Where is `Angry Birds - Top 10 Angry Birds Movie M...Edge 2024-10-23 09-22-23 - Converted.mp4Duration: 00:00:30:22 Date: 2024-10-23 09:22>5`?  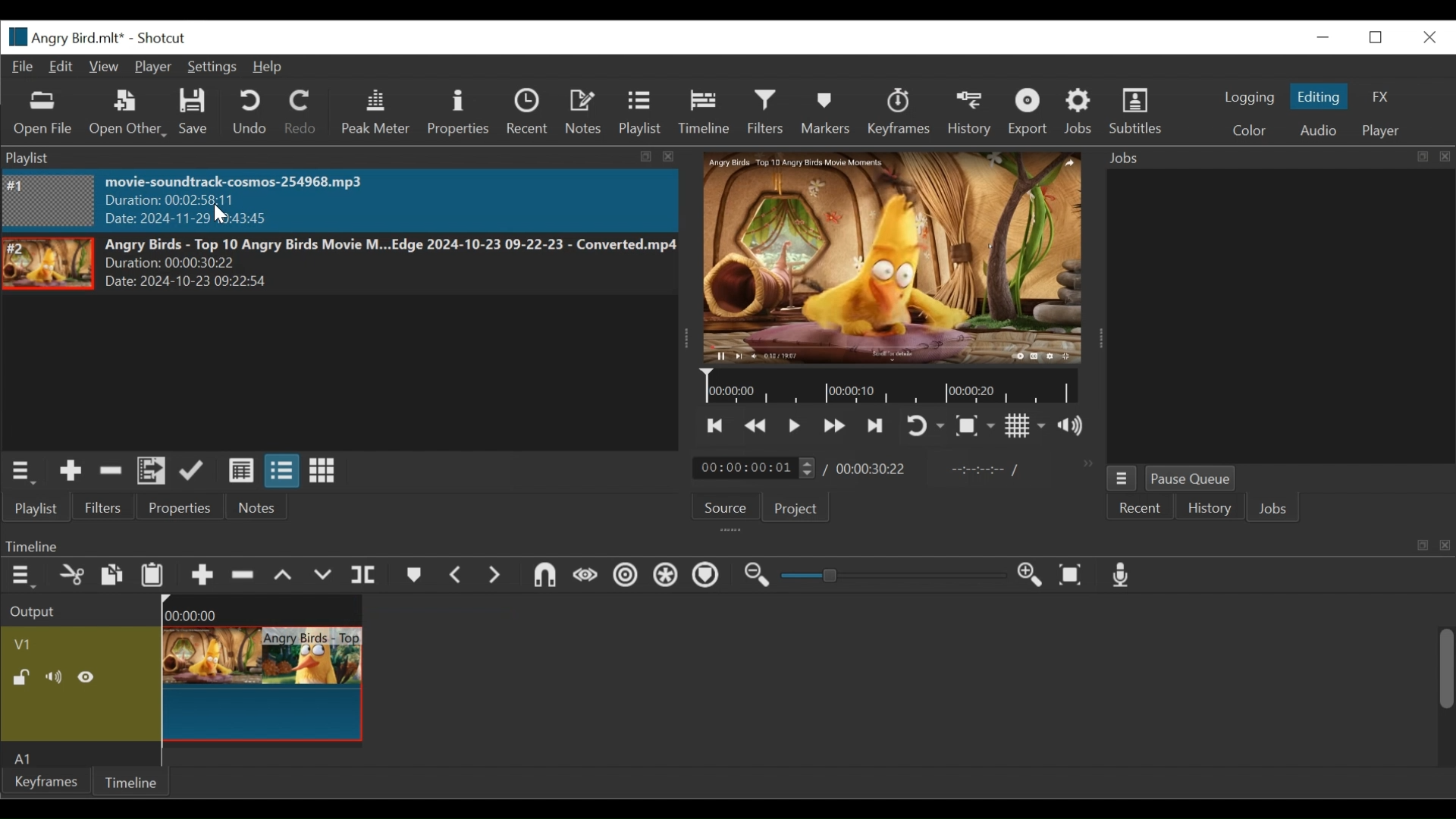
Angry Birds - Top 10 Angry Birds Movie M...Edge 2024-10-23 09-22-23 - Converted.mp4Duration: 00:00:30:22 Date: 2024-10-23 09:22>5 is located at coordinates (390, 264).